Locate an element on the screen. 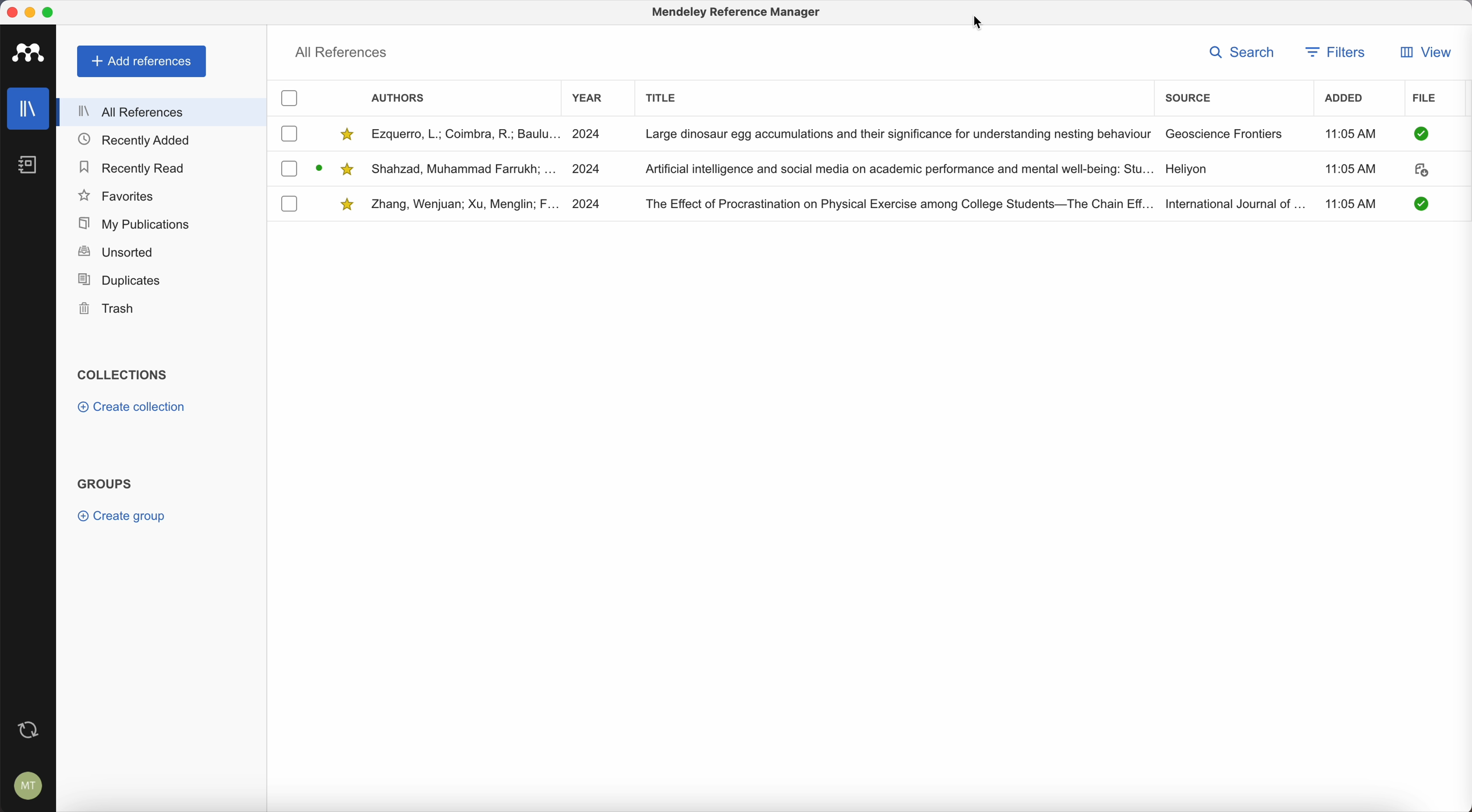 Image resolution: width=1472 pixels, height=812 pixels. pdf downloaded is located at coordinates (1416, 203).